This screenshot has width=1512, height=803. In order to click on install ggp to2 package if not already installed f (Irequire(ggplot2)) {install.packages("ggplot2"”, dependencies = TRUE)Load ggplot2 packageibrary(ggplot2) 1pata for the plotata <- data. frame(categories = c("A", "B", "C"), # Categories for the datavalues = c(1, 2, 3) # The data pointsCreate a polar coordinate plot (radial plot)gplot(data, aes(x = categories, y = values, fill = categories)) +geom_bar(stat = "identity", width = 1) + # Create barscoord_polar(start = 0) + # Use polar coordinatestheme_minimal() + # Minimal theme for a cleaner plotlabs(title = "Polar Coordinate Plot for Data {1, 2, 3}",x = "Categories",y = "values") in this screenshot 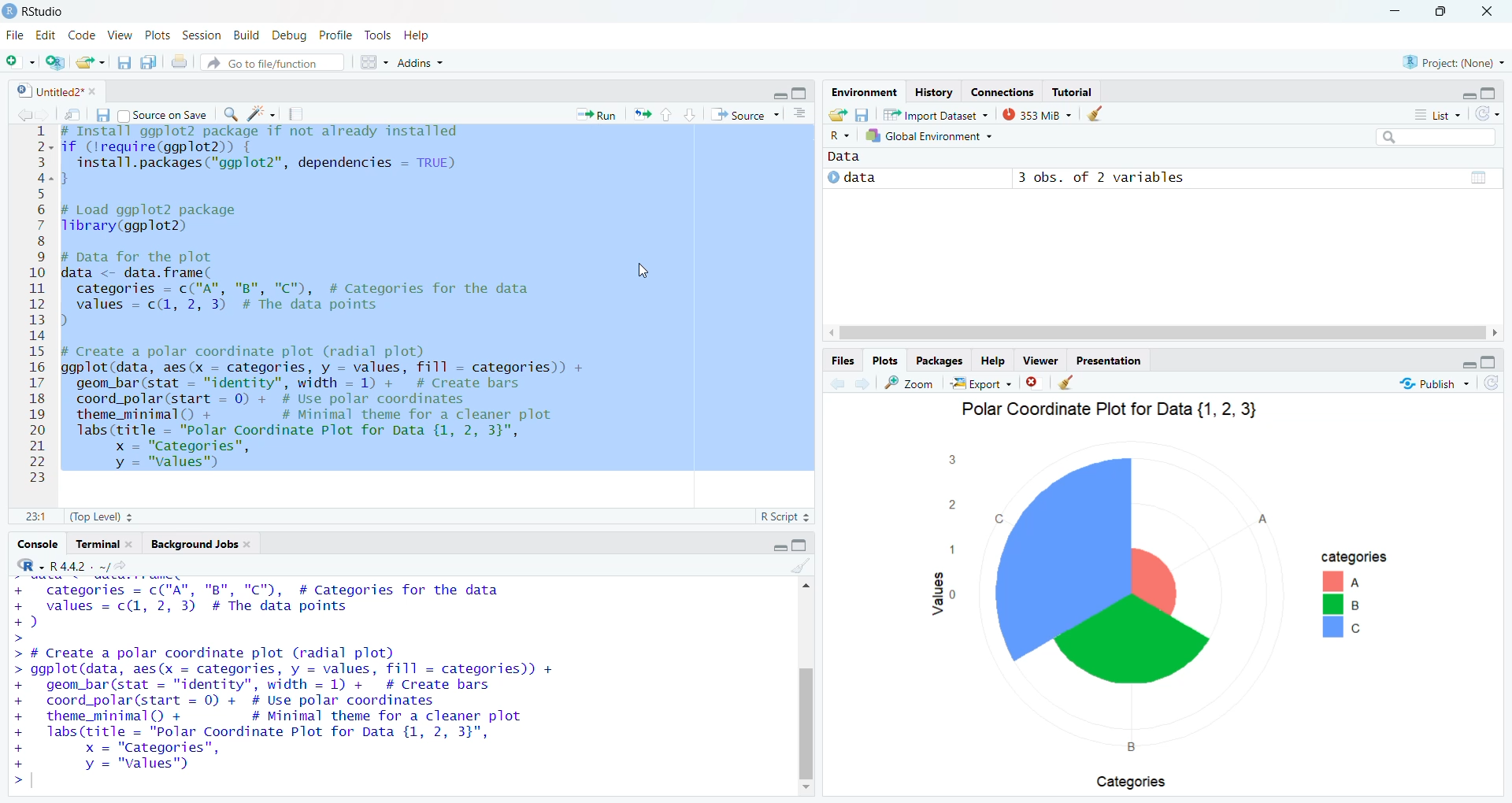, I will do `click(432, 298)`.